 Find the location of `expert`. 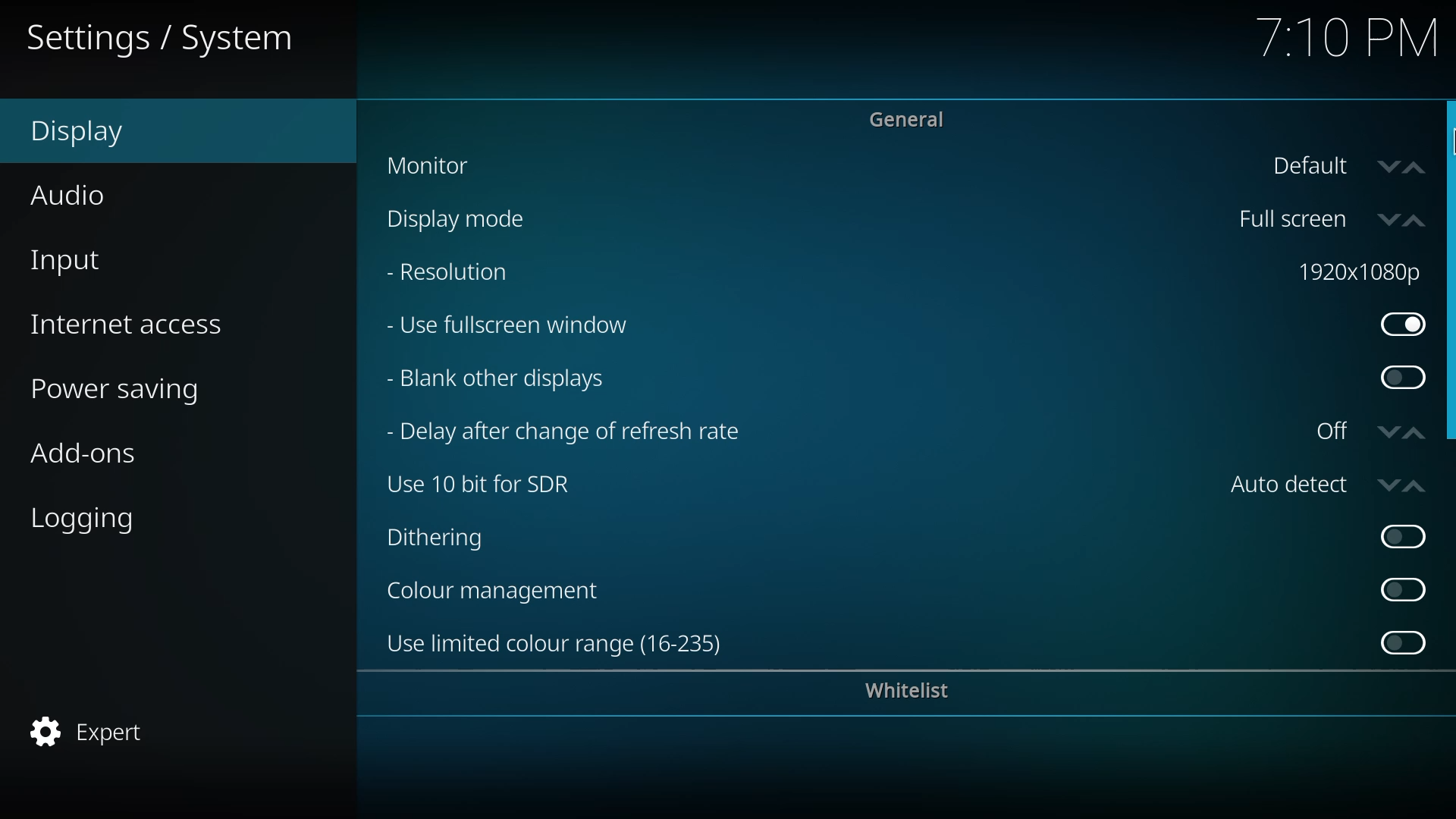

expert is located at coordinates (89, 733).